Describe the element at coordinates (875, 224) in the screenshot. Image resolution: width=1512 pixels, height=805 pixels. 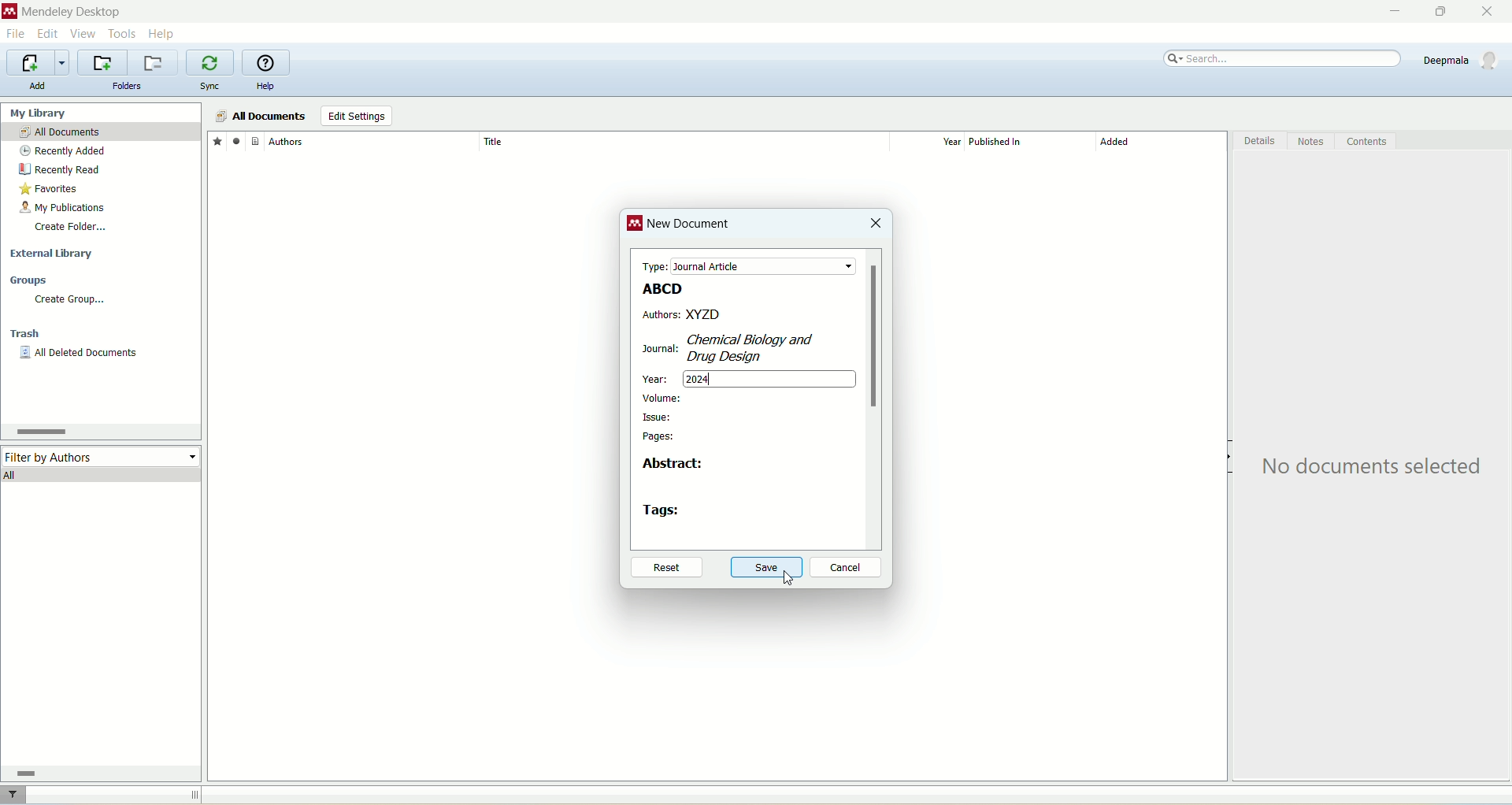
I see `close` at that location.